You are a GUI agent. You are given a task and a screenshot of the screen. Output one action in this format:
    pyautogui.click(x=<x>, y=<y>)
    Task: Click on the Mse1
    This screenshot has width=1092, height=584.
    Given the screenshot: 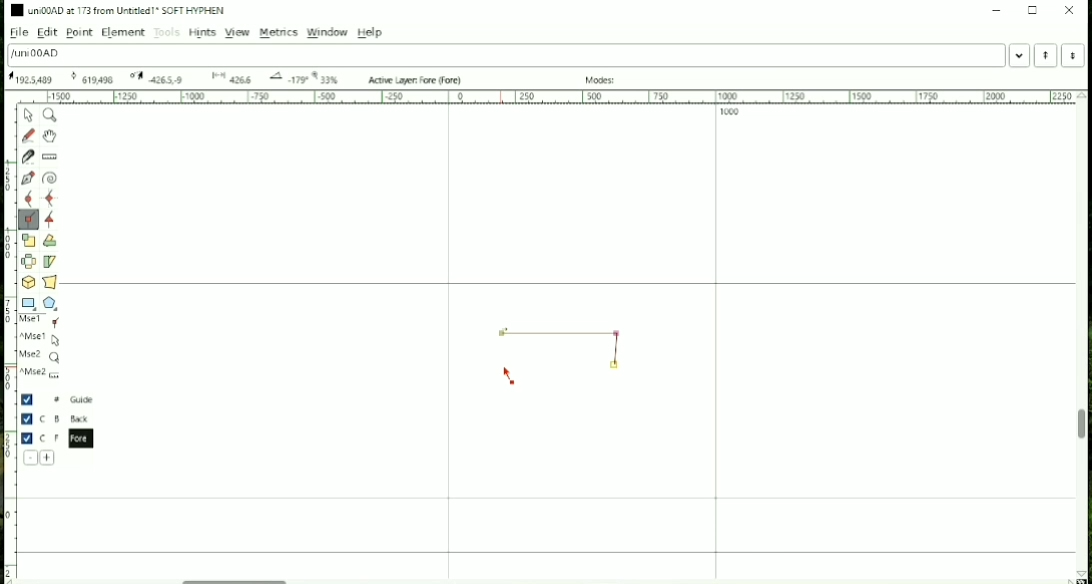 What is the action you would take?
    pyautogui.click(x=43, y=322)
    